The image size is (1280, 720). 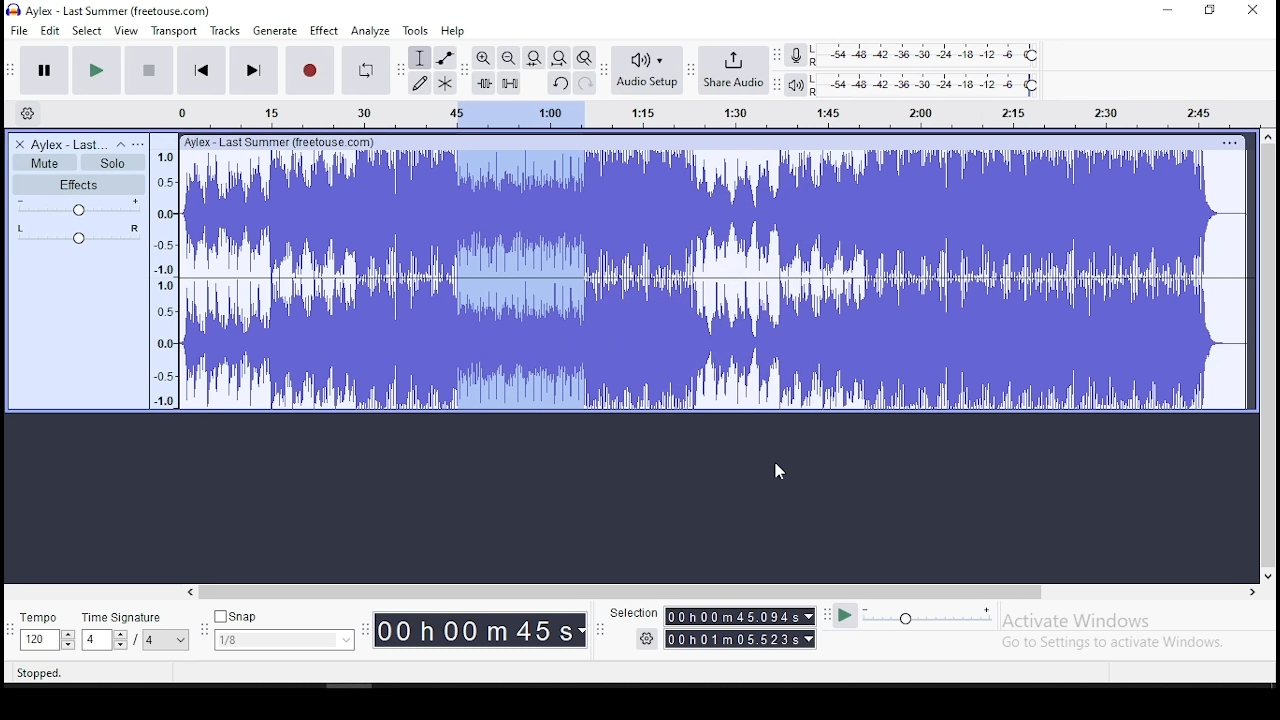 What do you see at coordinates (1227, 143) in the screenshot?
I see `track options` at bounding box center [1227, 143].